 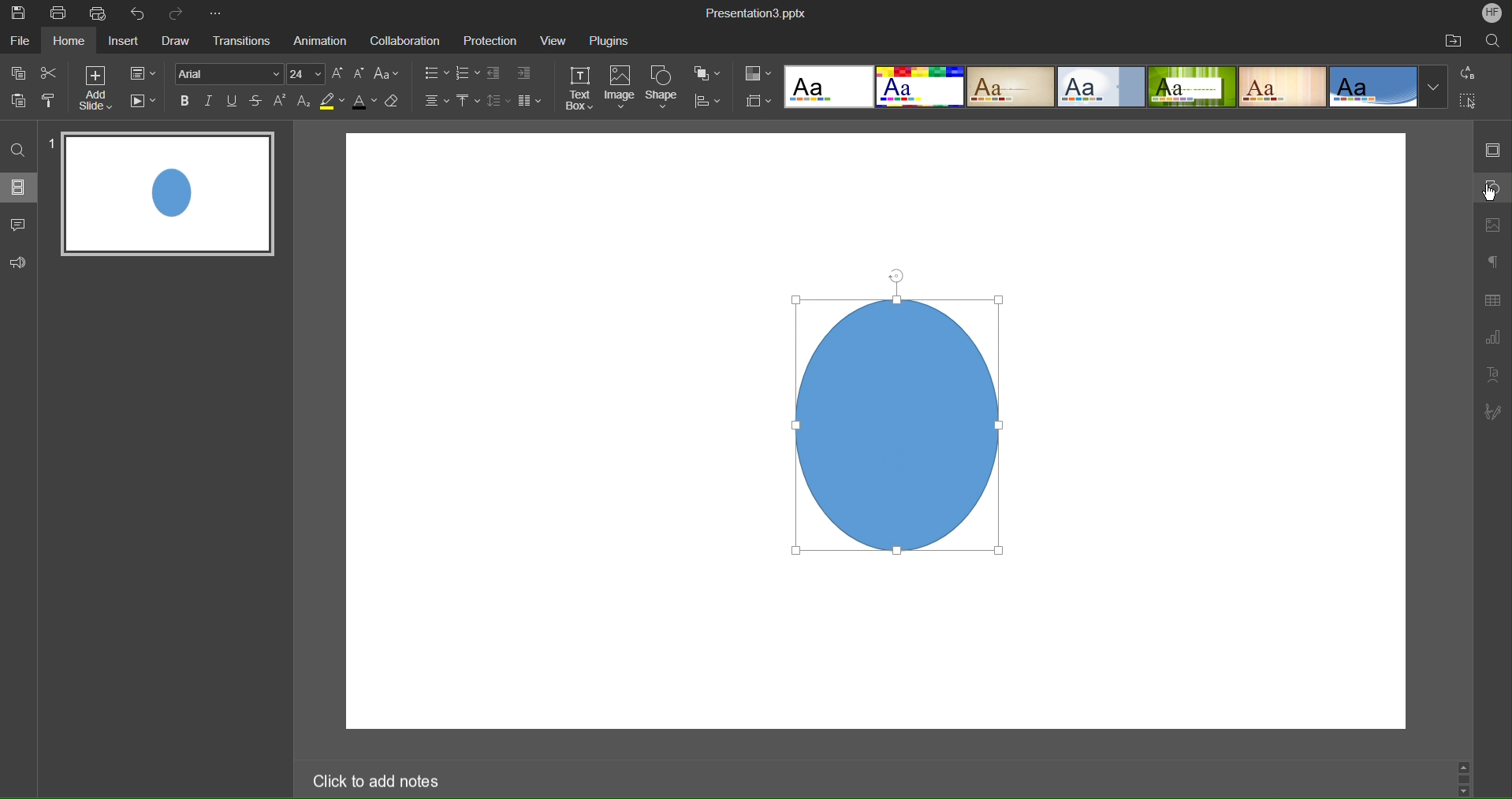 I want to click on Bold, so click(x=184, y=102).